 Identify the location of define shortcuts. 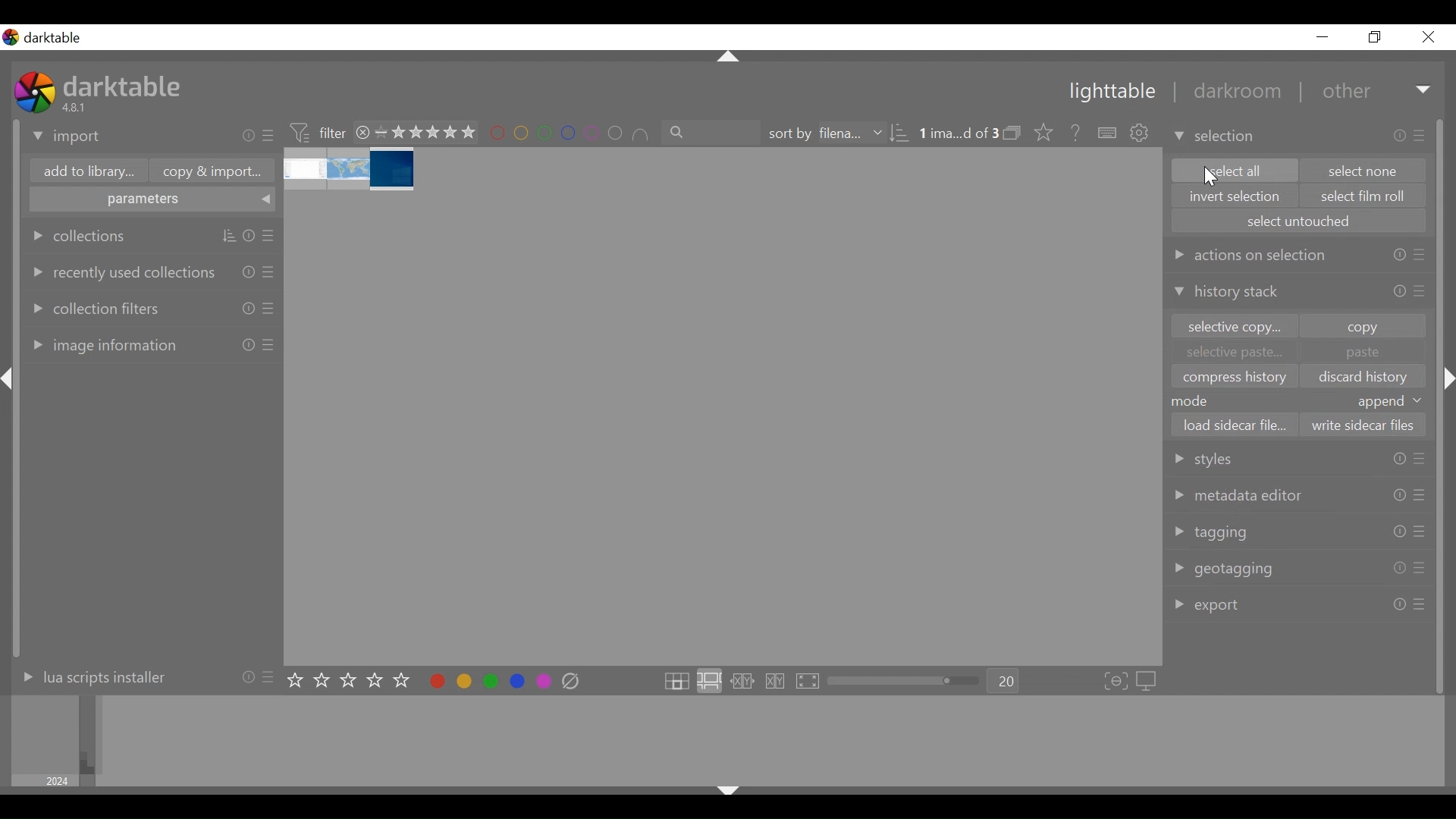
(1109, 133).